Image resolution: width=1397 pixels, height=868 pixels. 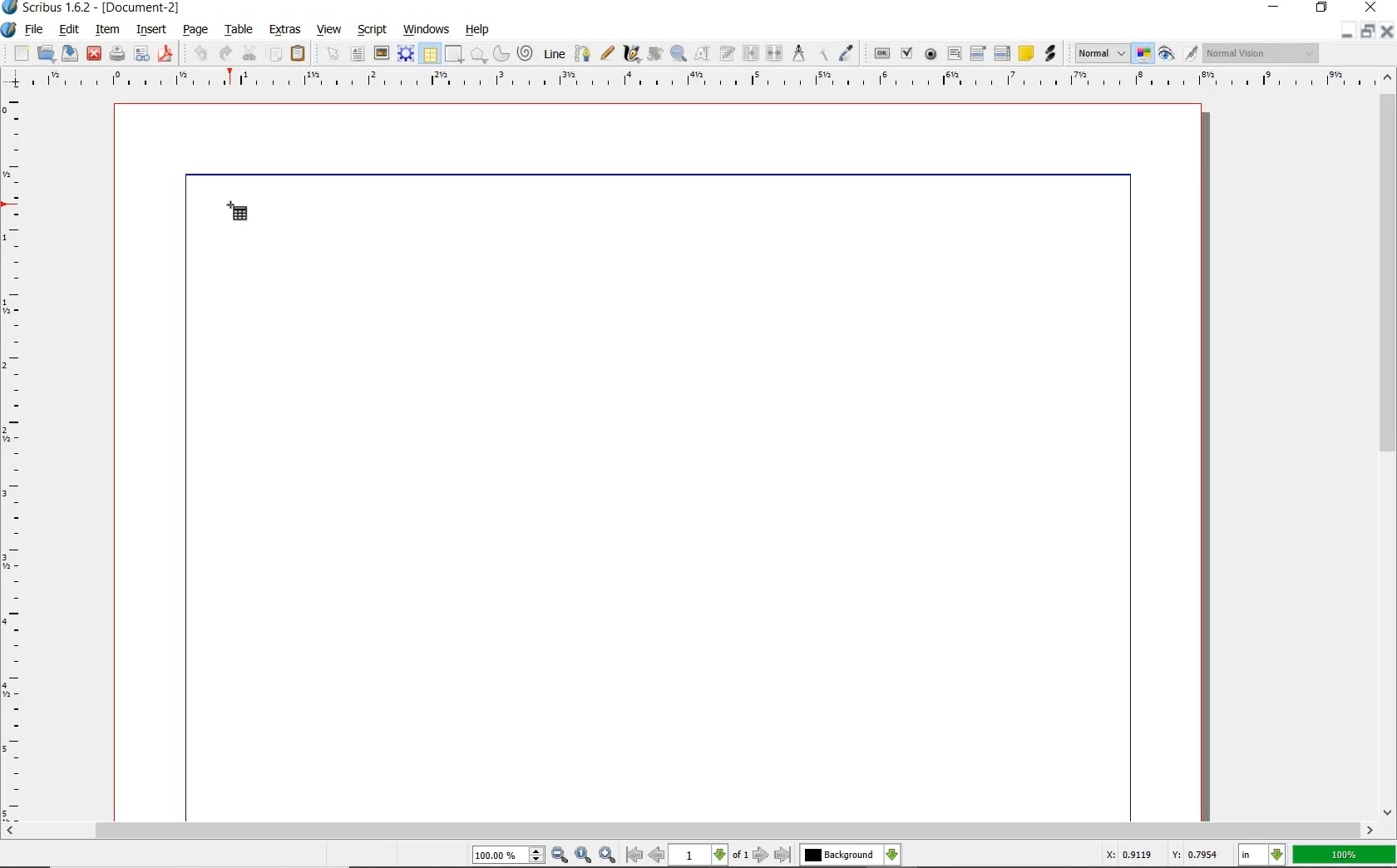 What do you see at coordinates (332, 52) in the screenshot?
I see `select item` at bounding box center [332, 52].